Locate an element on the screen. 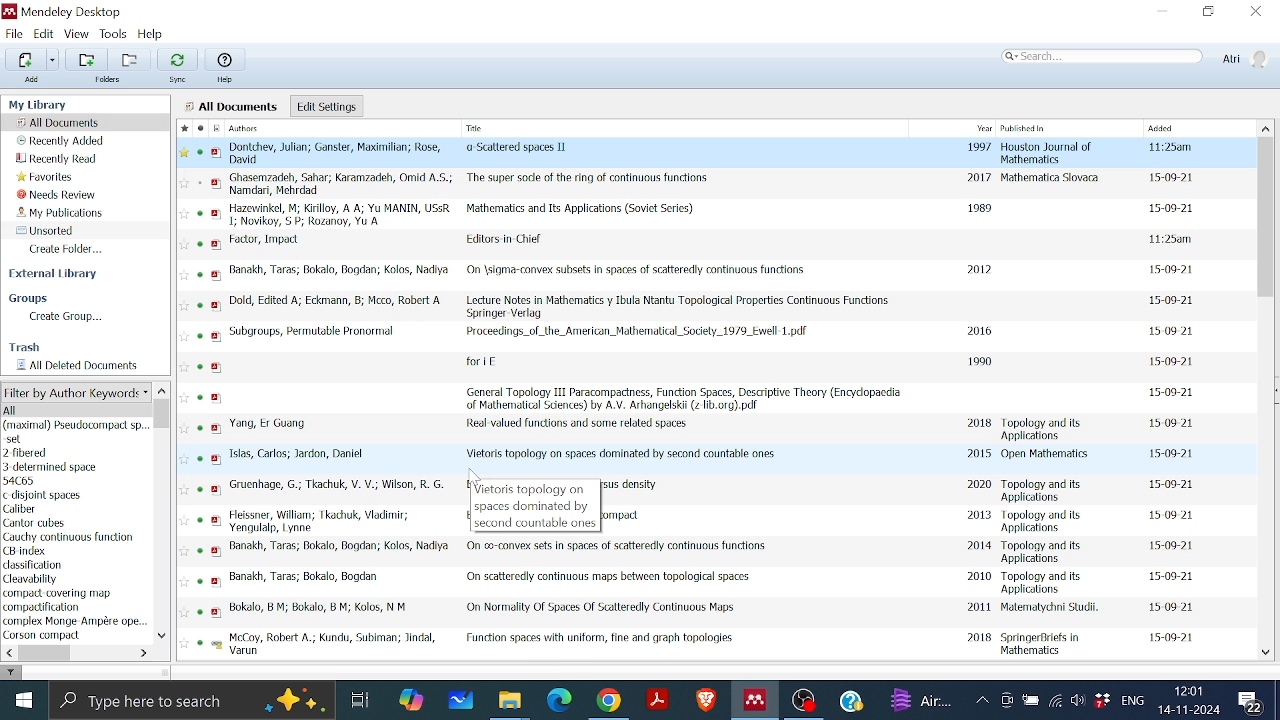 The image size is (1280, 720). Author is located at coordinates (295, 455).